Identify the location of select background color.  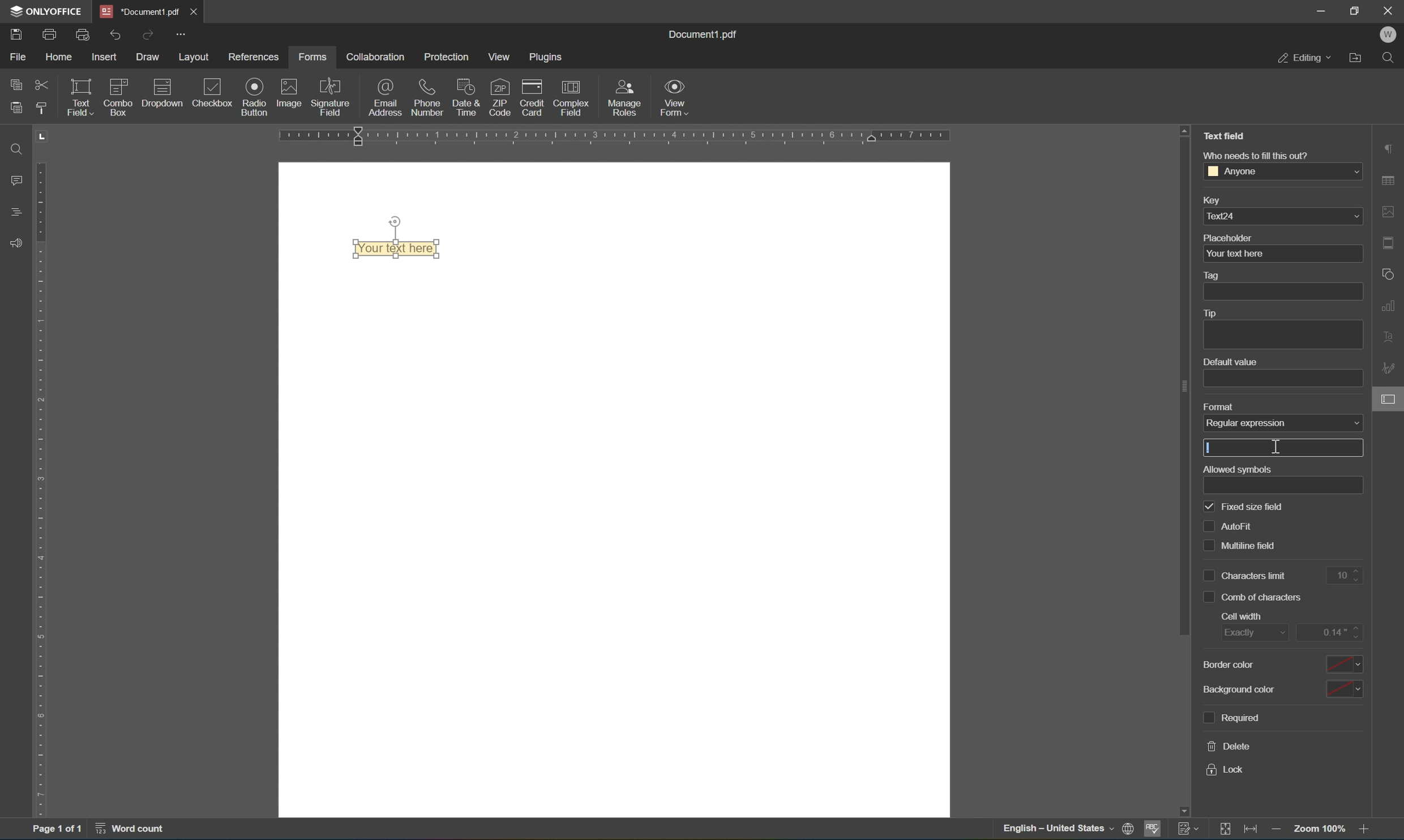
(1343, 690).